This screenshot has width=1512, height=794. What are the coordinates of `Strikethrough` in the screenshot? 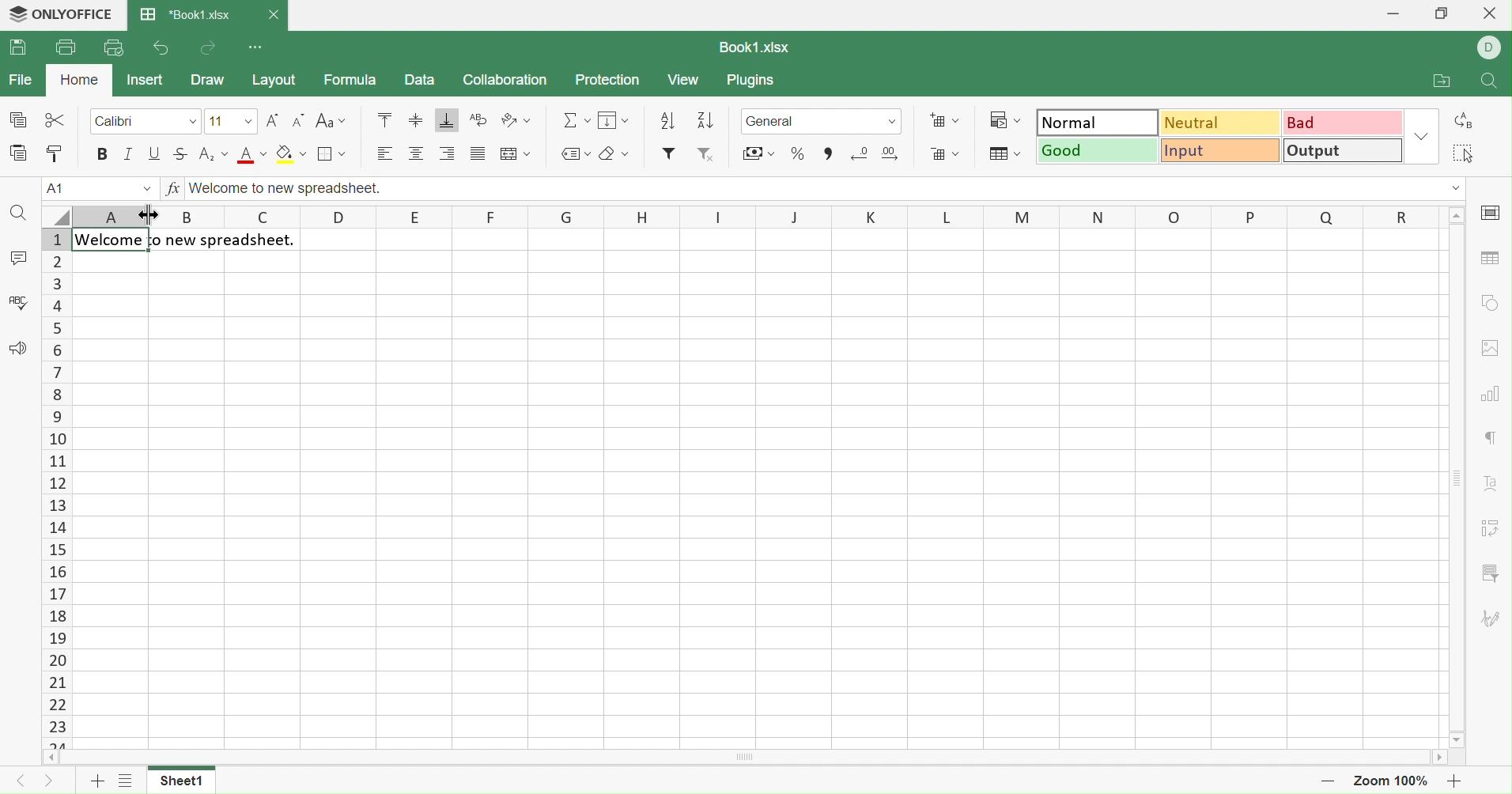 It's located at (182, 154).